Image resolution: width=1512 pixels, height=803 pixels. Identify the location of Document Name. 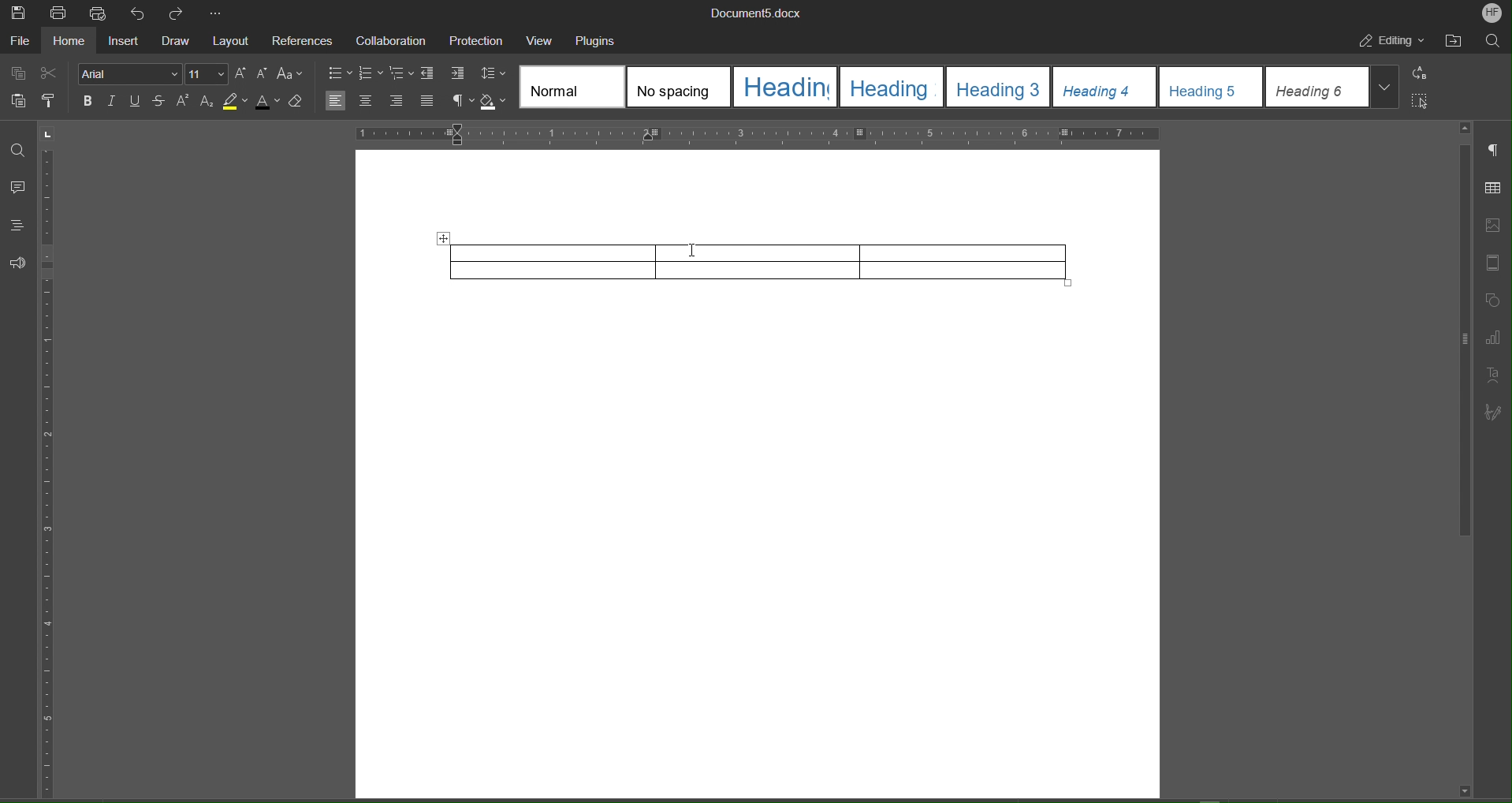
(760, 13).